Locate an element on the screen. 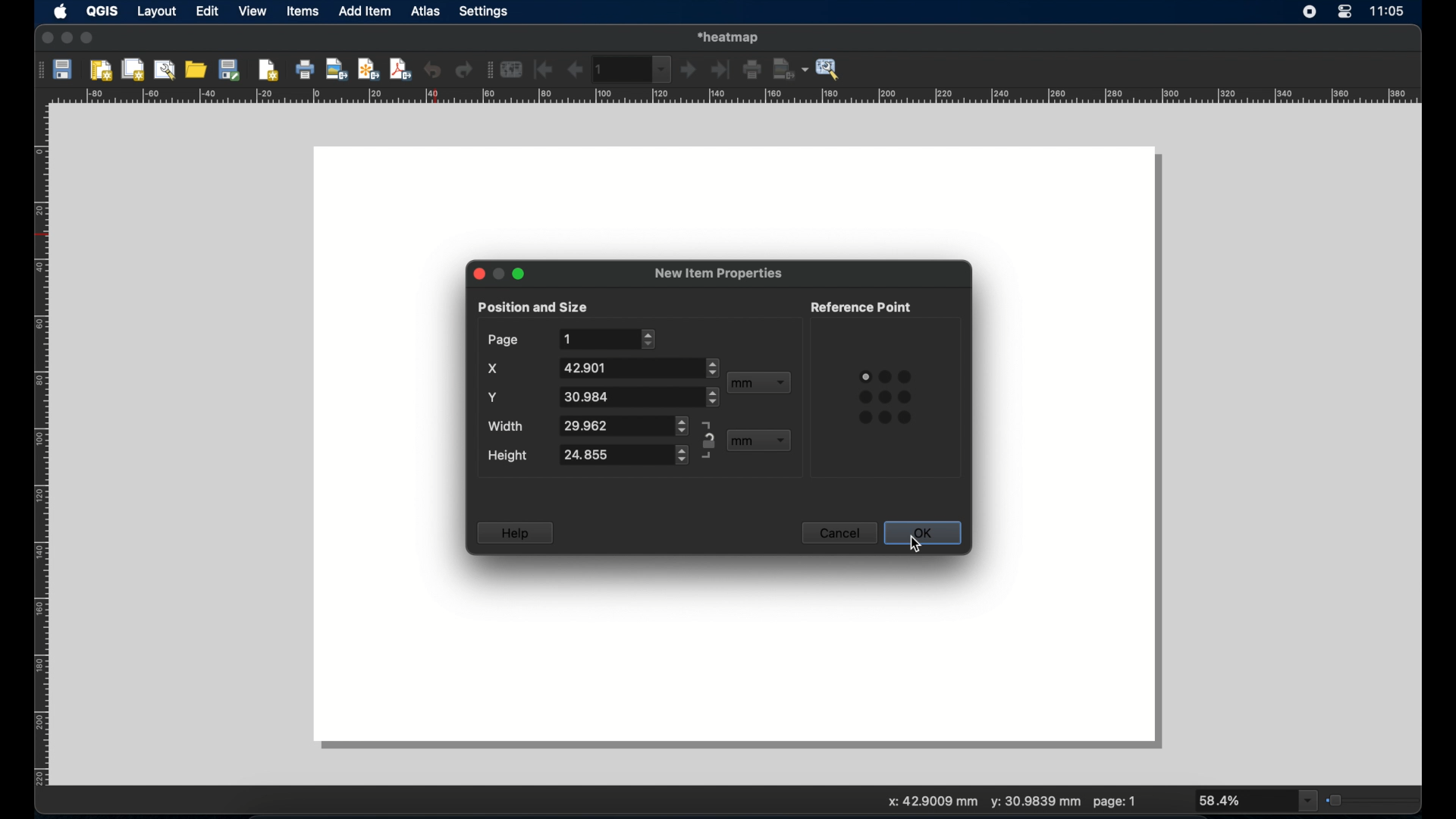 The image size is (1456, 819). contraints is located at coordinates (708, 440).